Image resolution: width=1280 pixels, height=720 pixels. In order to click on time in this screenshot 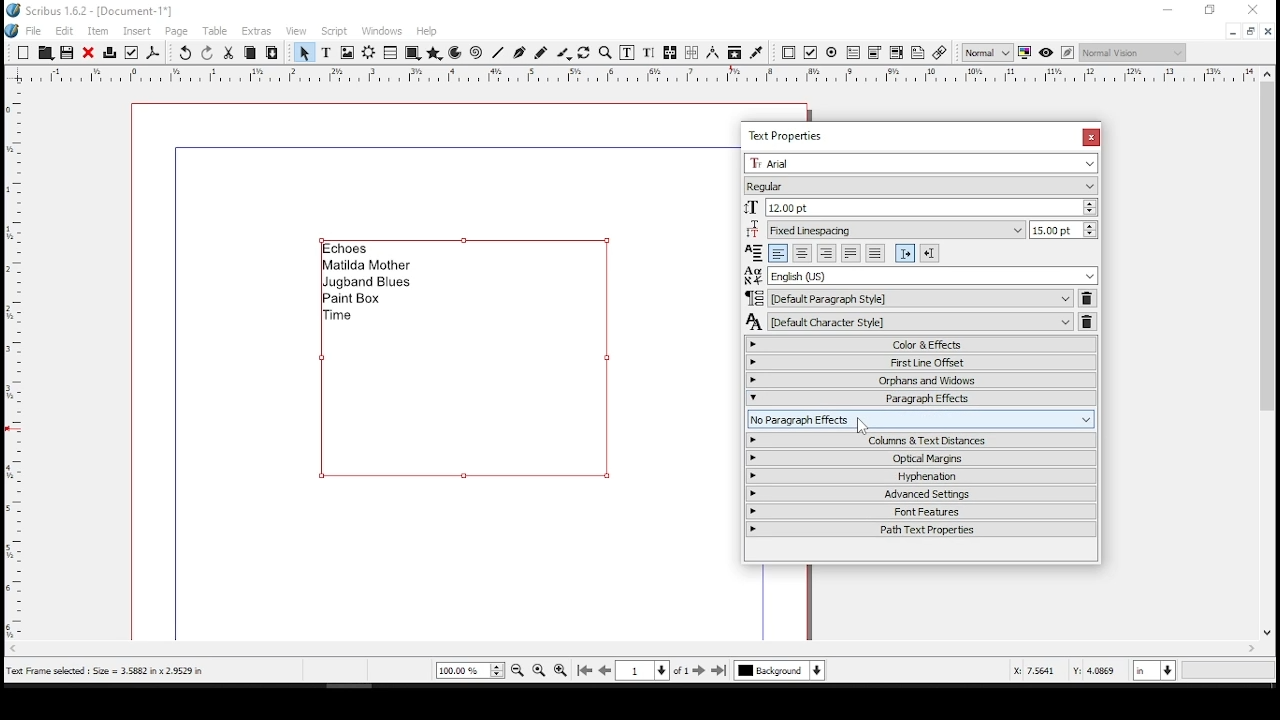, I will do `click(343, 316)`.